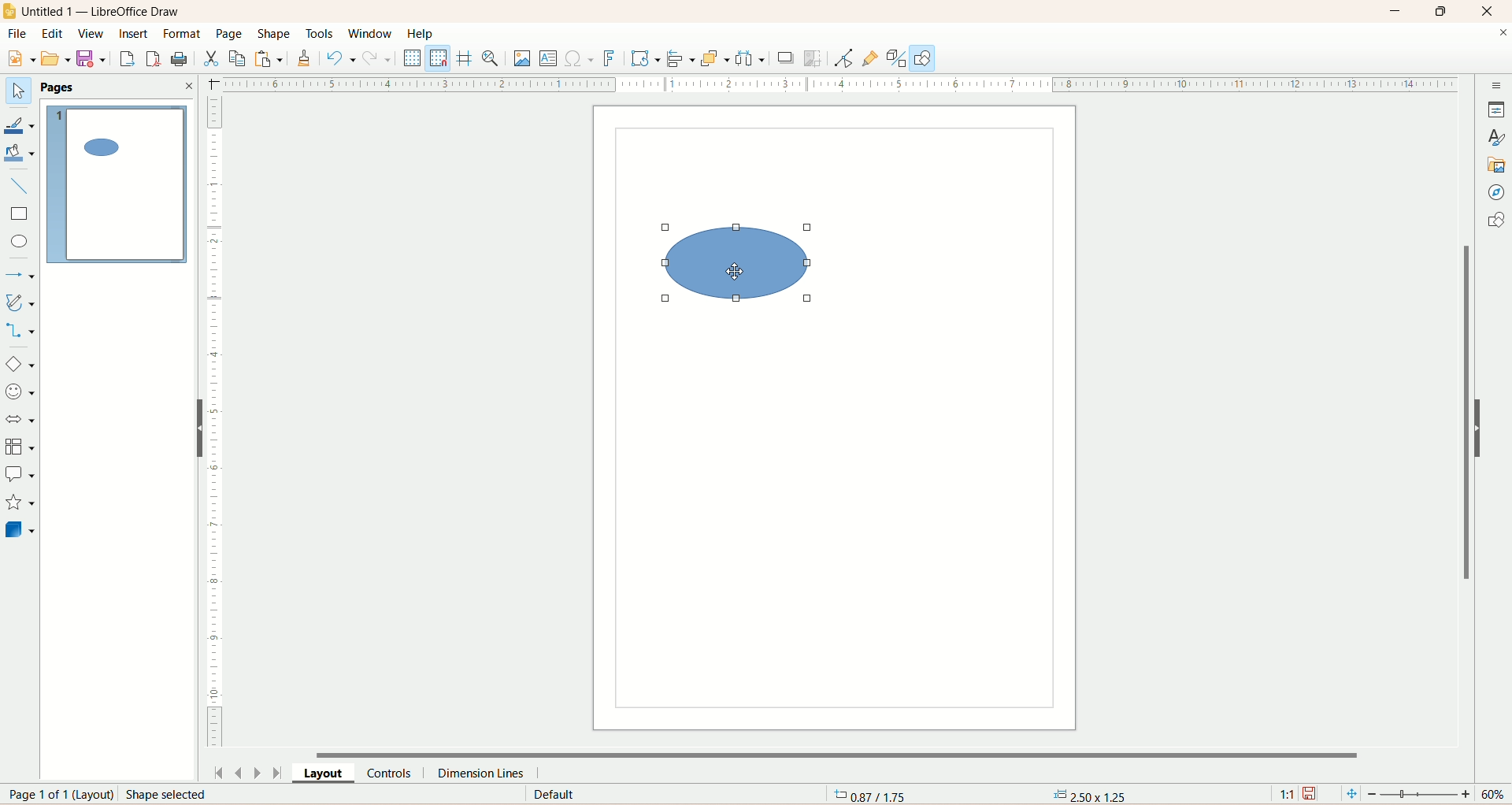 The image size is (1512, 805). I want to click on format, so click(186, 35).